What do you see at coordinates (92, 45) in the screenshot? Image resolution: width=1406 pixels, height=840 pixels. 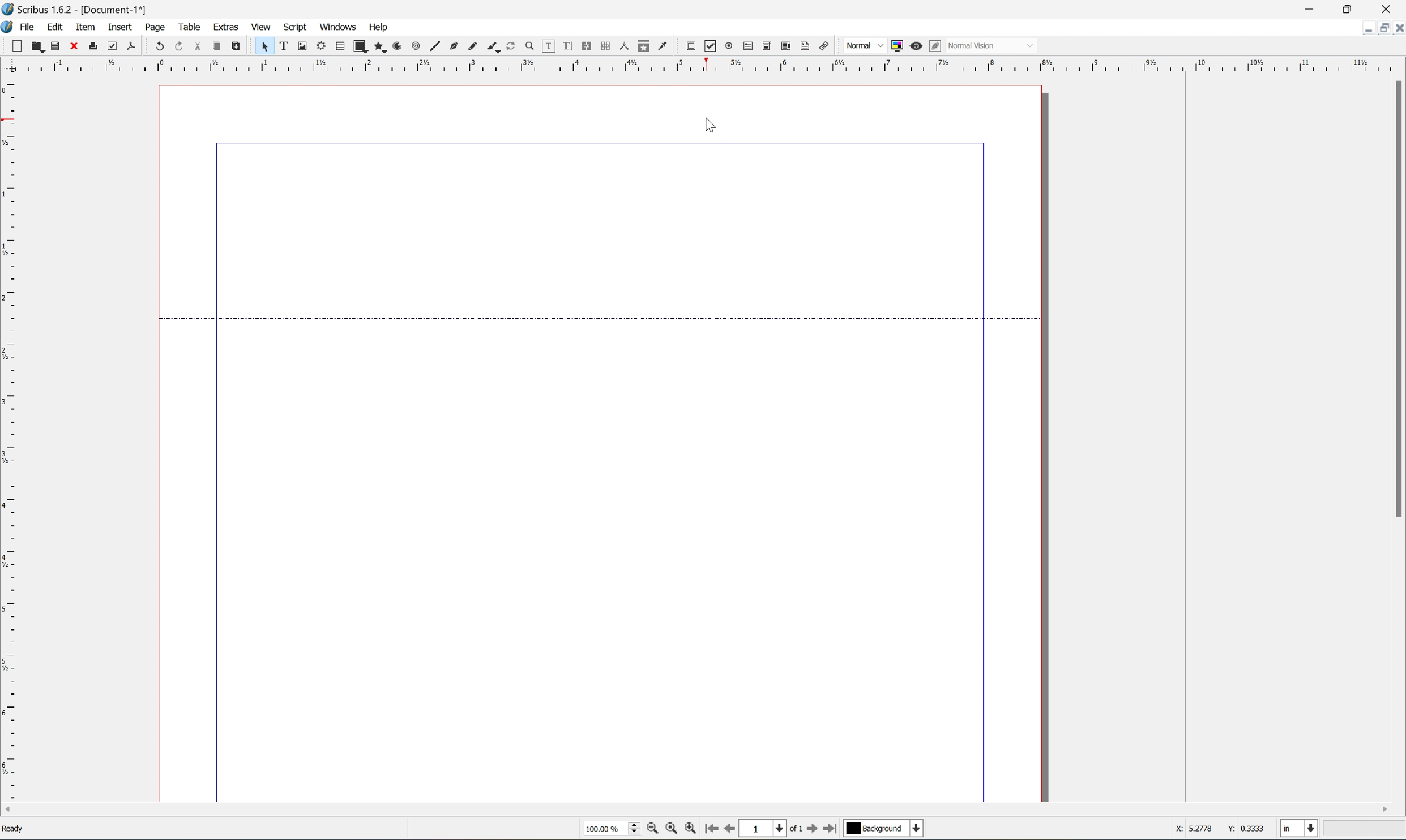 I see `print` at bounding box center [92, 45].